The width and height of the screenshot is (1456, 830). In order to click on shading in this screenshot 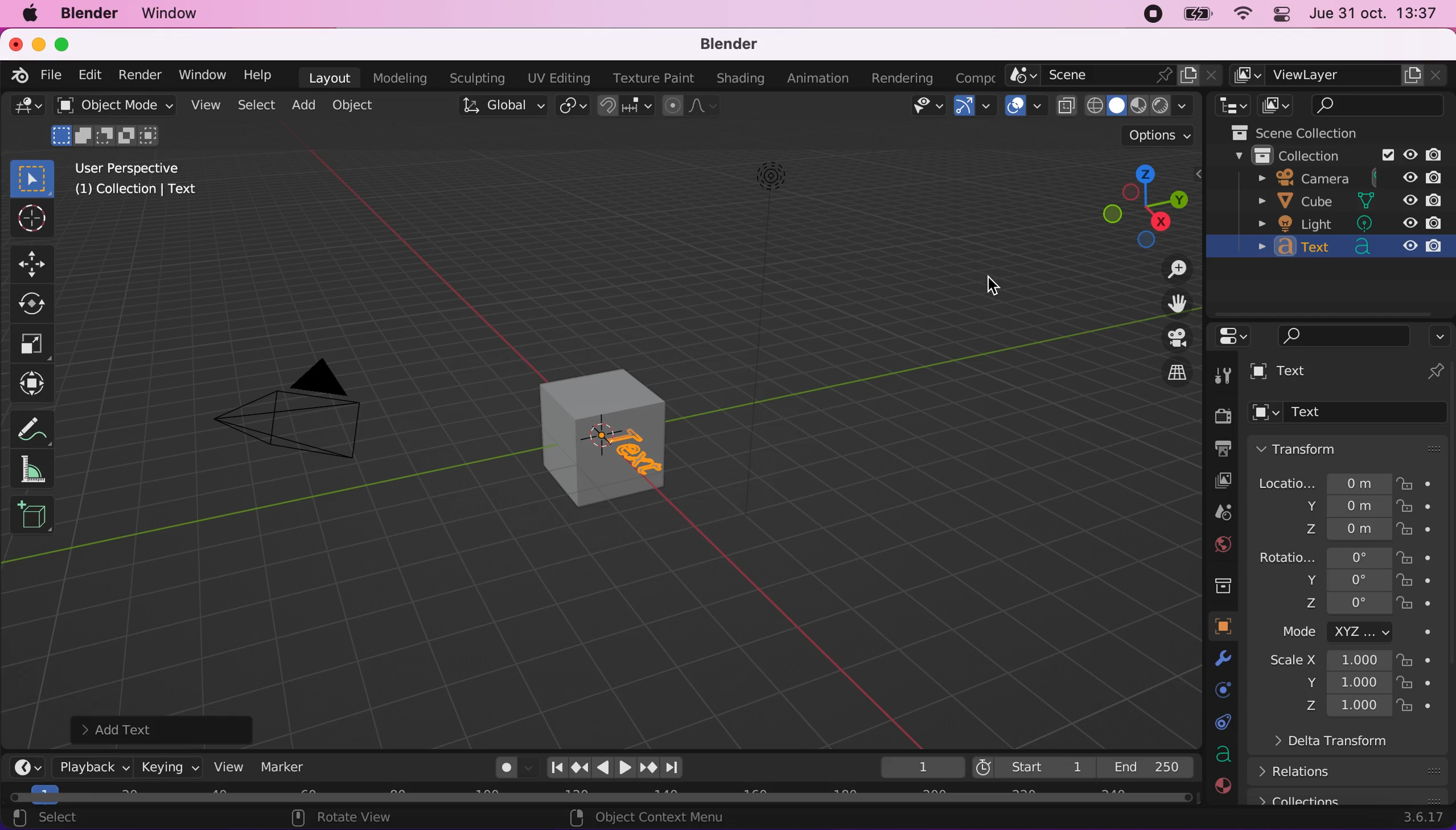, I will do `click(737, 77)`.